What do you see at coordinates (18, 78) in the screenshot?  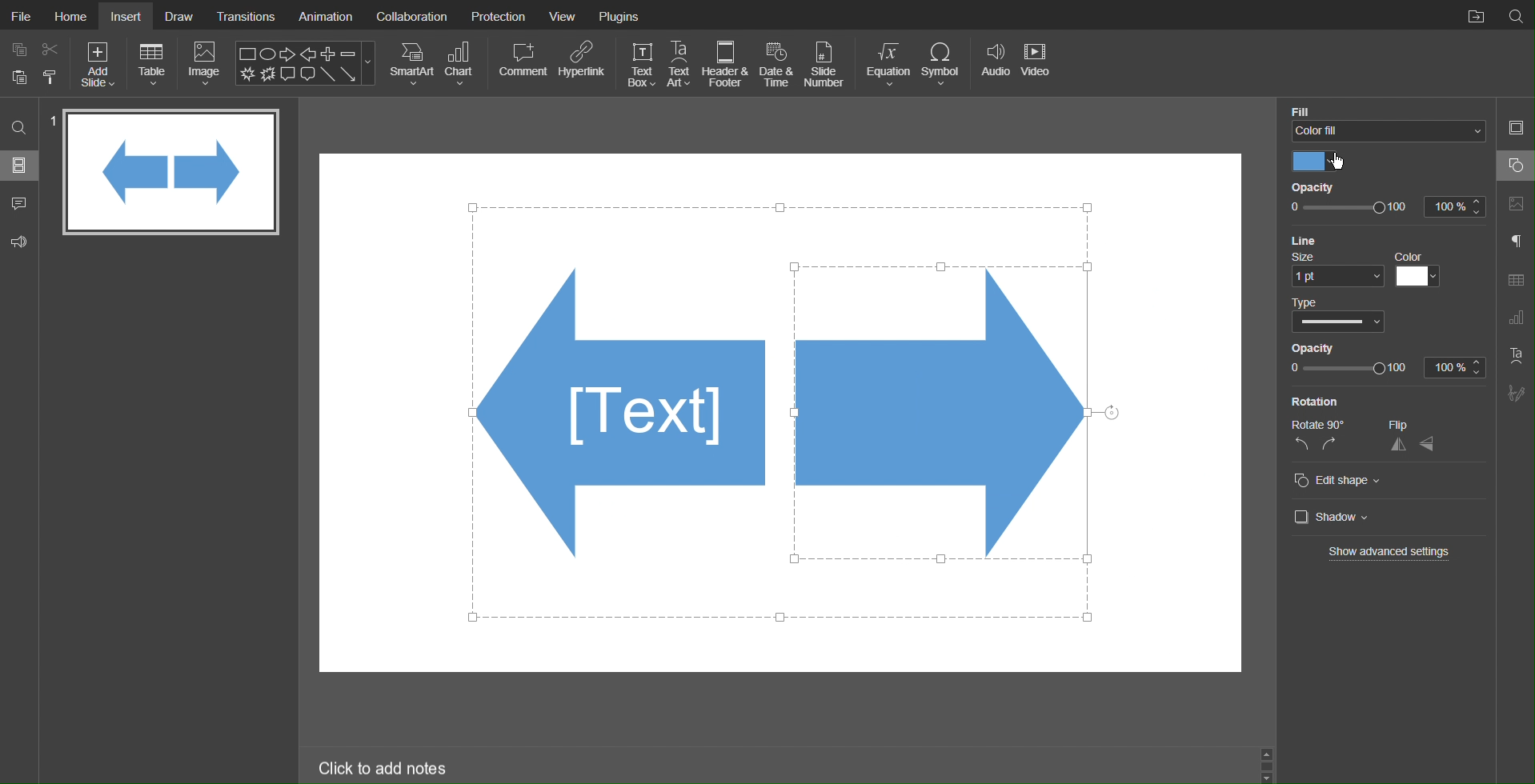 I see `paste` at bounding box center [18, 78].